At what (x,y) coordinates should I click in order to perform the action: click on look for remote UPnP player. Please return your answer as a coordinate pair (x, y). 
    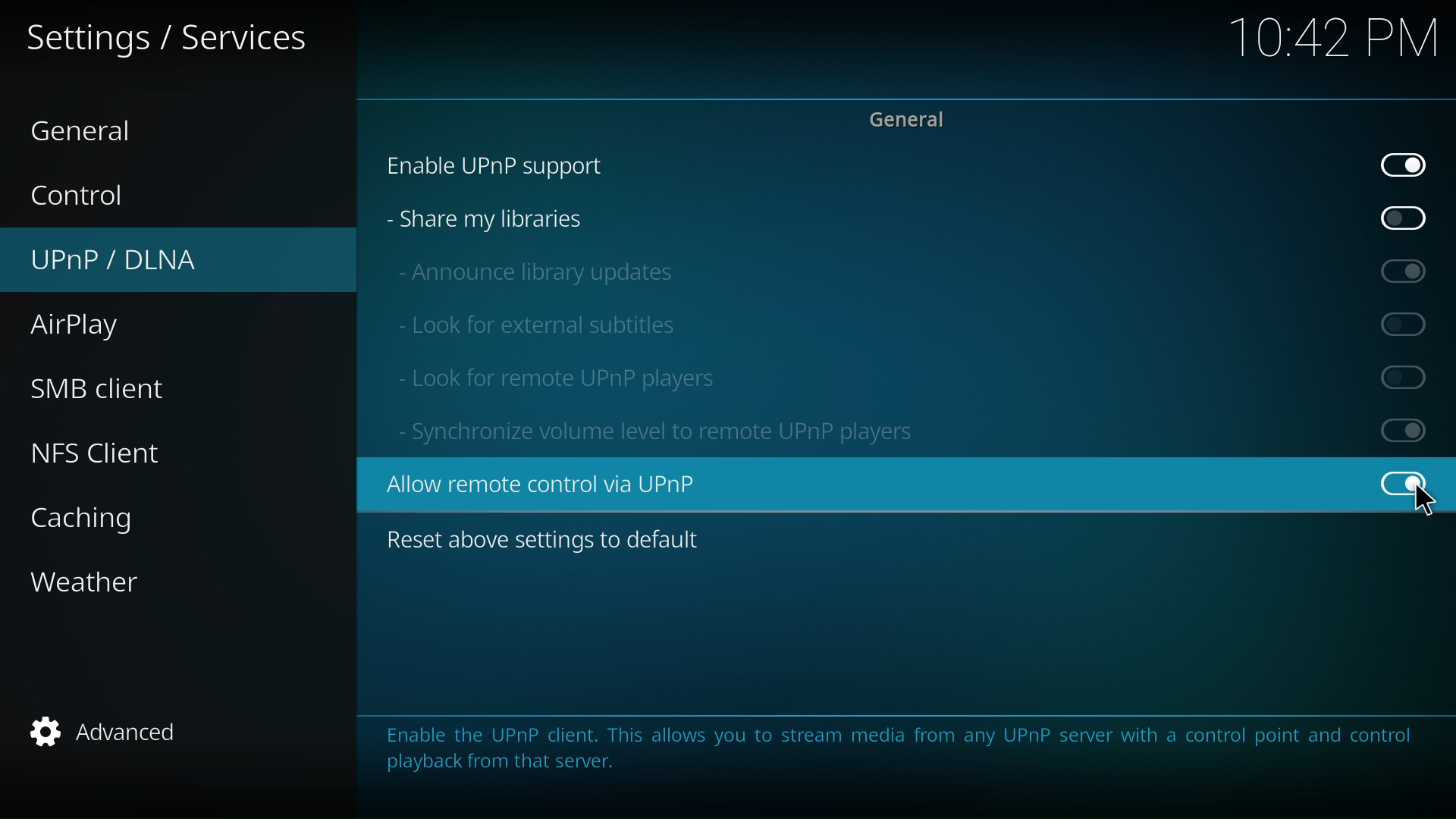
    Looking at the image, I should click on (912, 378).